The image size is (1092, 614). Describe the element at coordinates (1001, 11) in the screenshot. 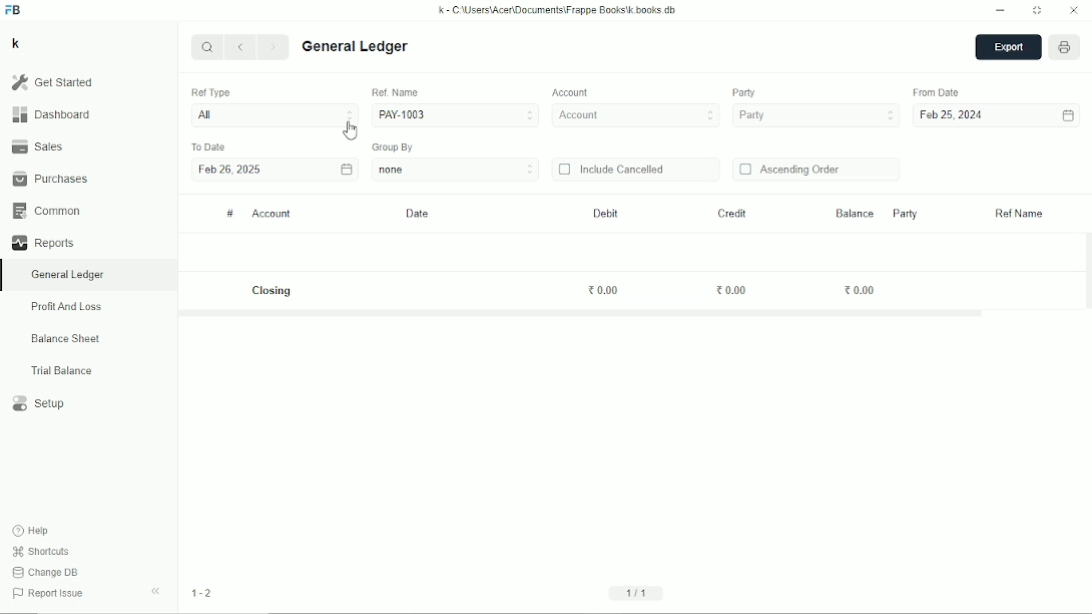

I see `Minimize` at that location.